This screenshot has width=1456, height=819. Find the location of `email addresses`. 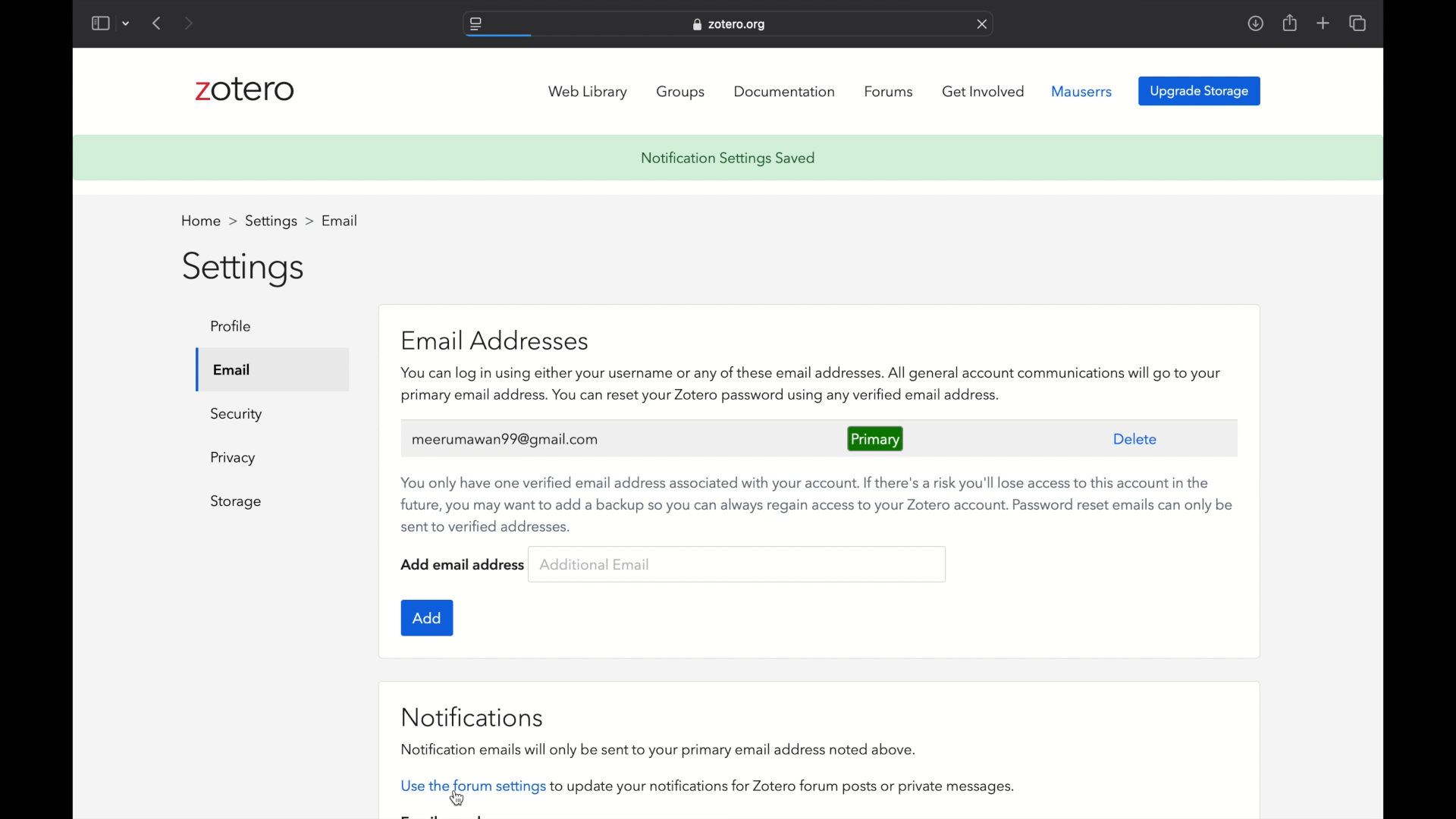

email addresses is located at coordinates (497, 340).